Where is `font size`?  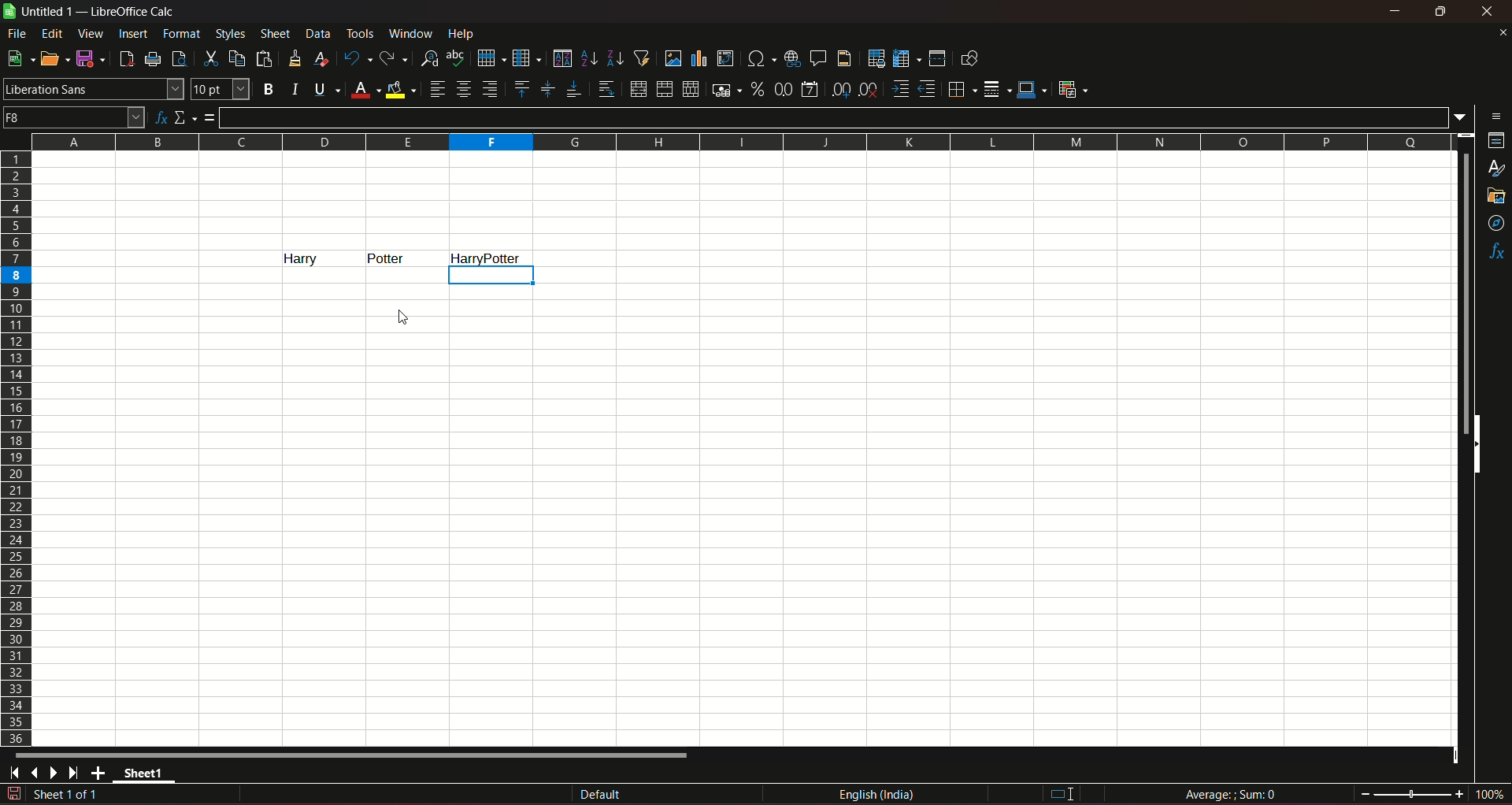 font size is located at coordinates (218, 90).